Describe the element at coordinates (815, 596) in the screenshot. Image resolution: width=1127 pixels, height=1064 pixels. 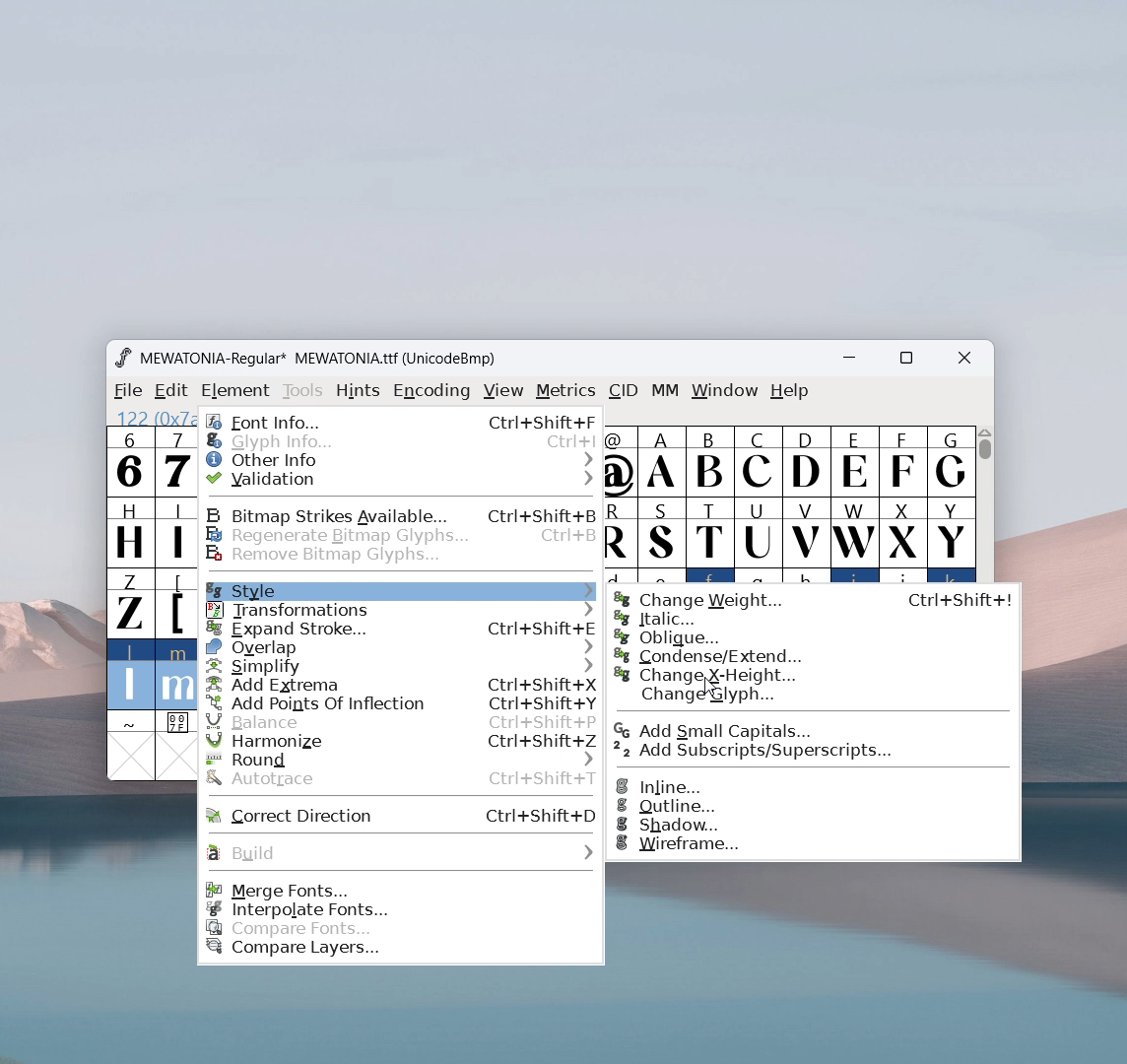
I see `change weight` at that location.